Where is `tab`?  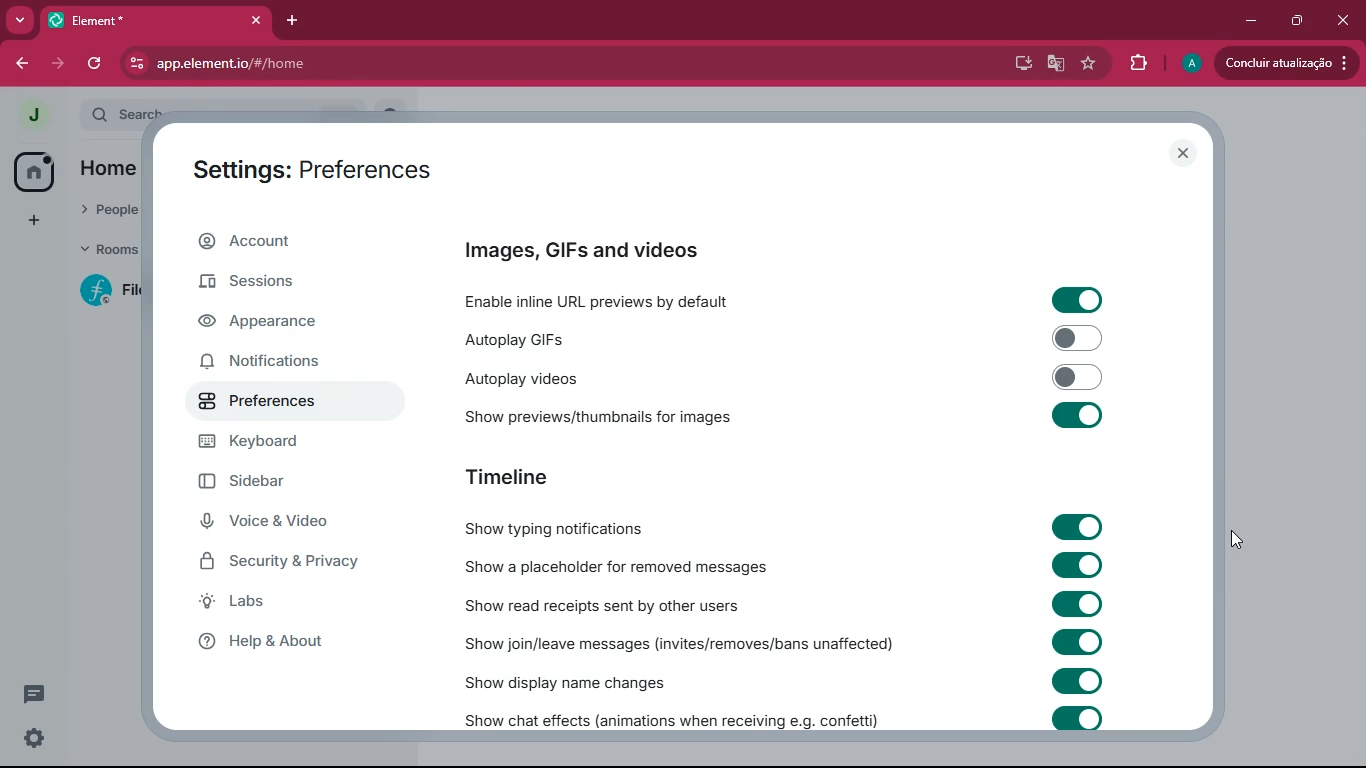
tab is located at coordinates (128, 21).